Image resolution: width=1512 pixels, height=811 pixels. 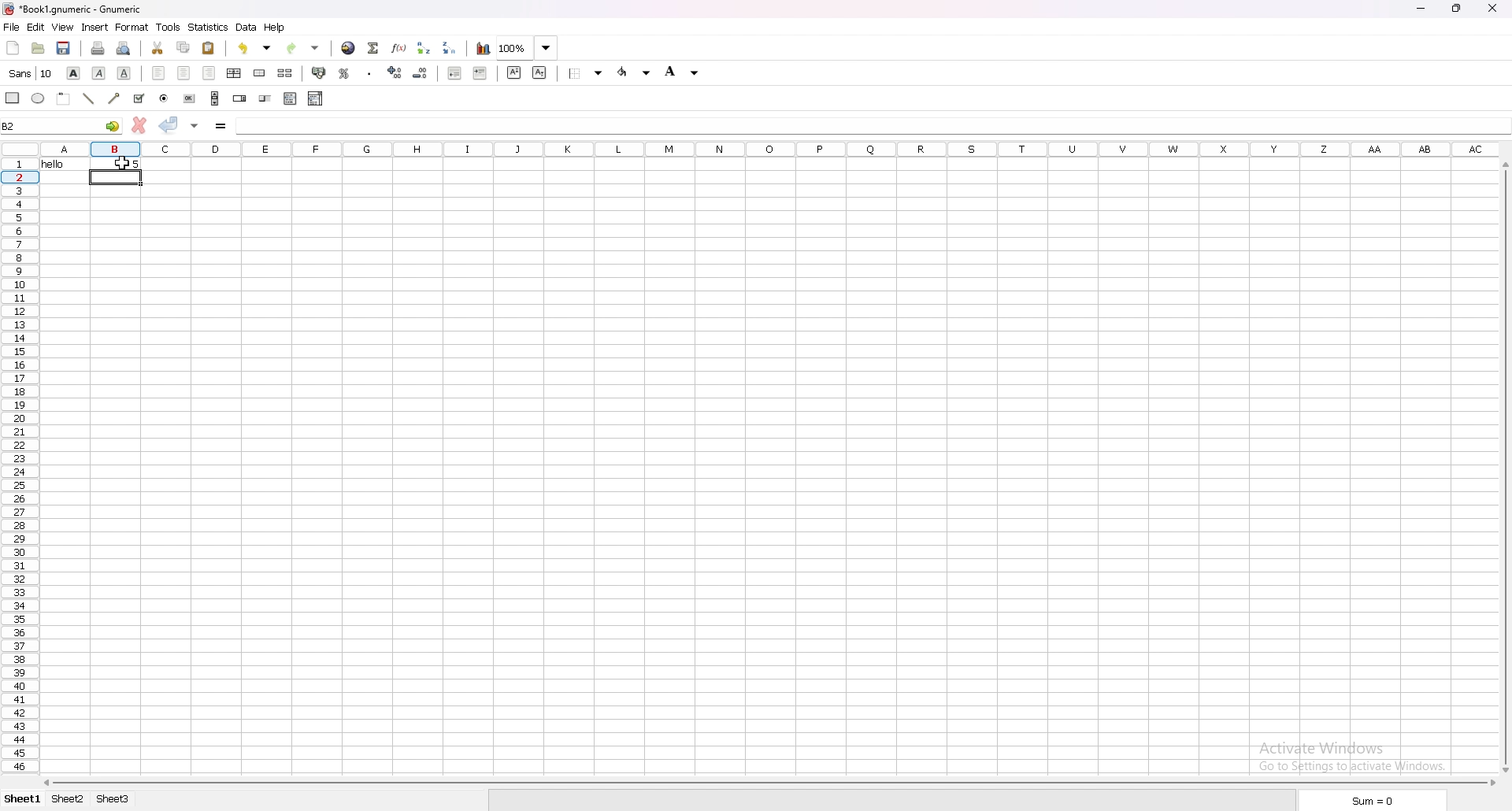 I want to click on thousands separator, so click(x=370, y=72).